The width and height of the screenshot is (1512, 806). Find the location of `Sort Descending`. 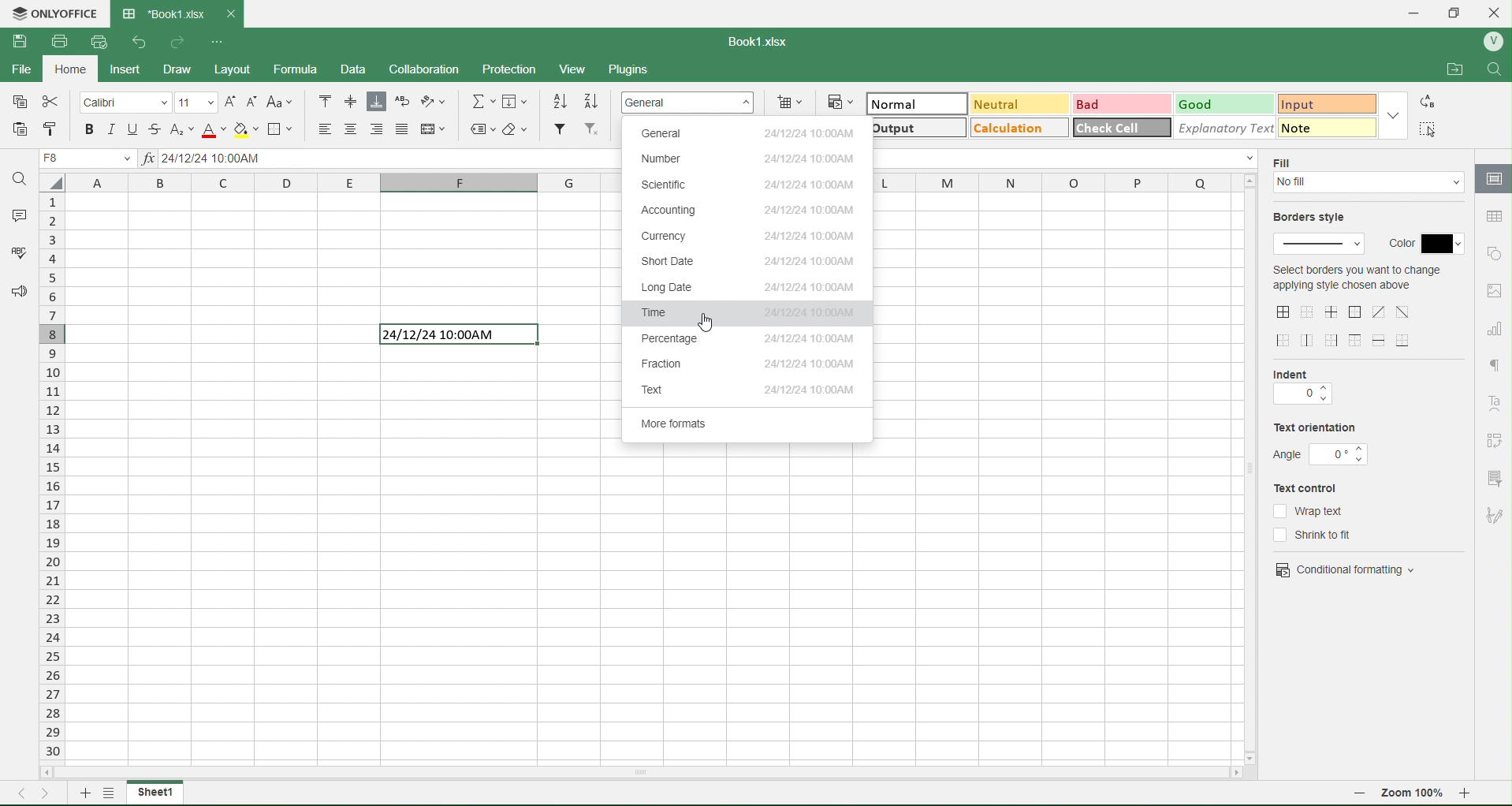

Sort Descending is located at coordinates (594, 100).